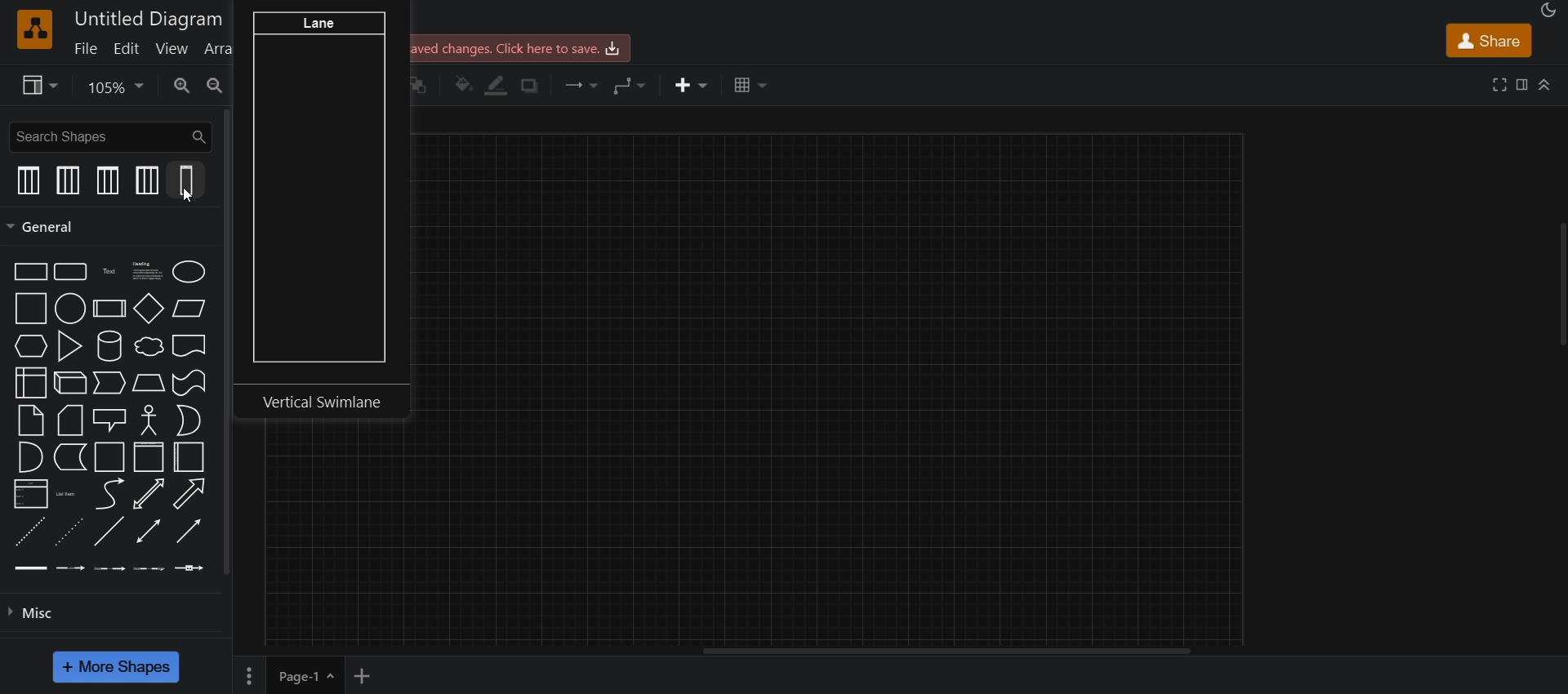 The width and height of the screenshot is (1568, 694). I want to click on square, so click(28, 309).